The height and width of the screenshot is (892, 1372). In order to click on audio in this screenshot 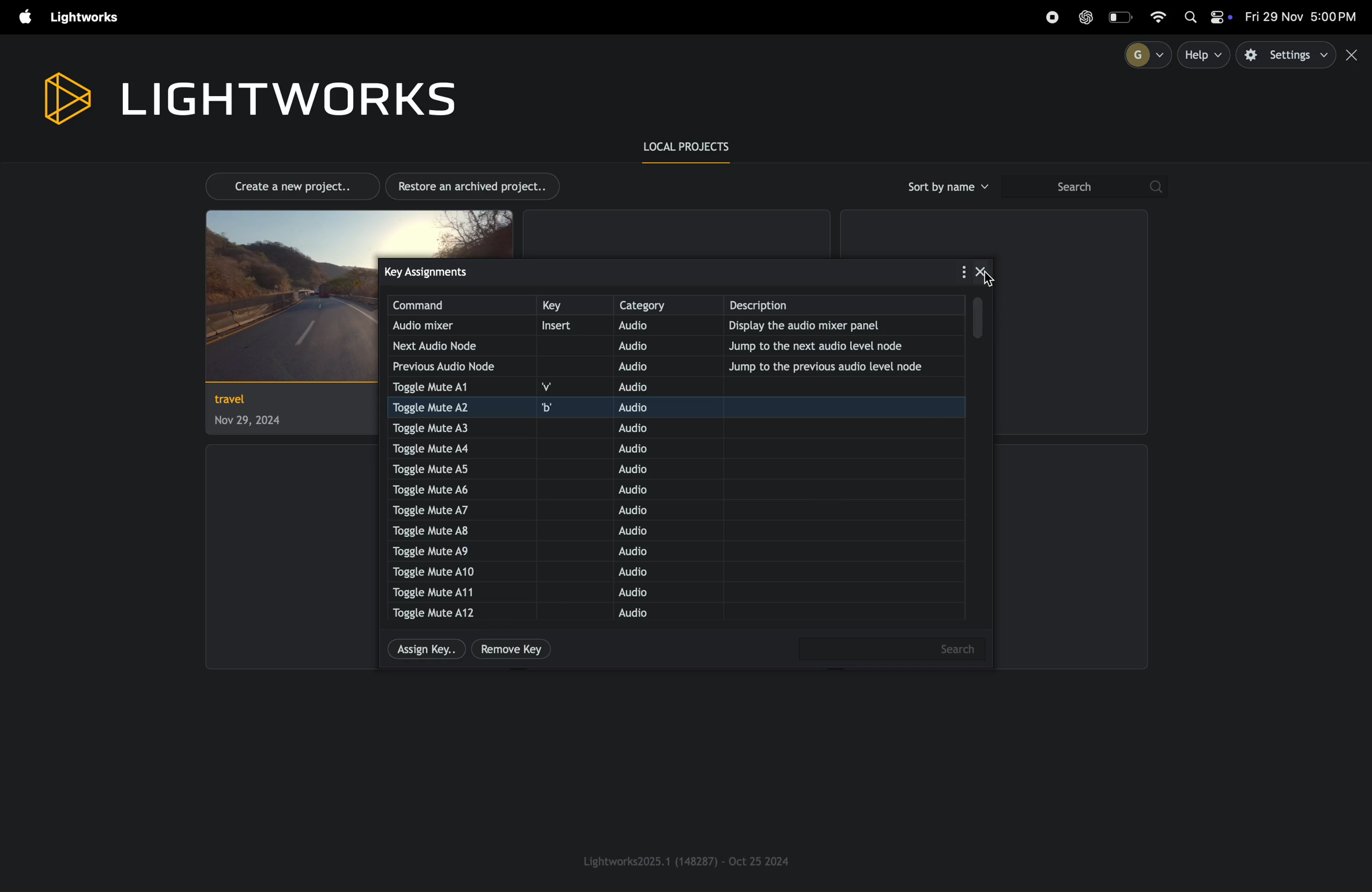, I will do `click(636, 470)`.